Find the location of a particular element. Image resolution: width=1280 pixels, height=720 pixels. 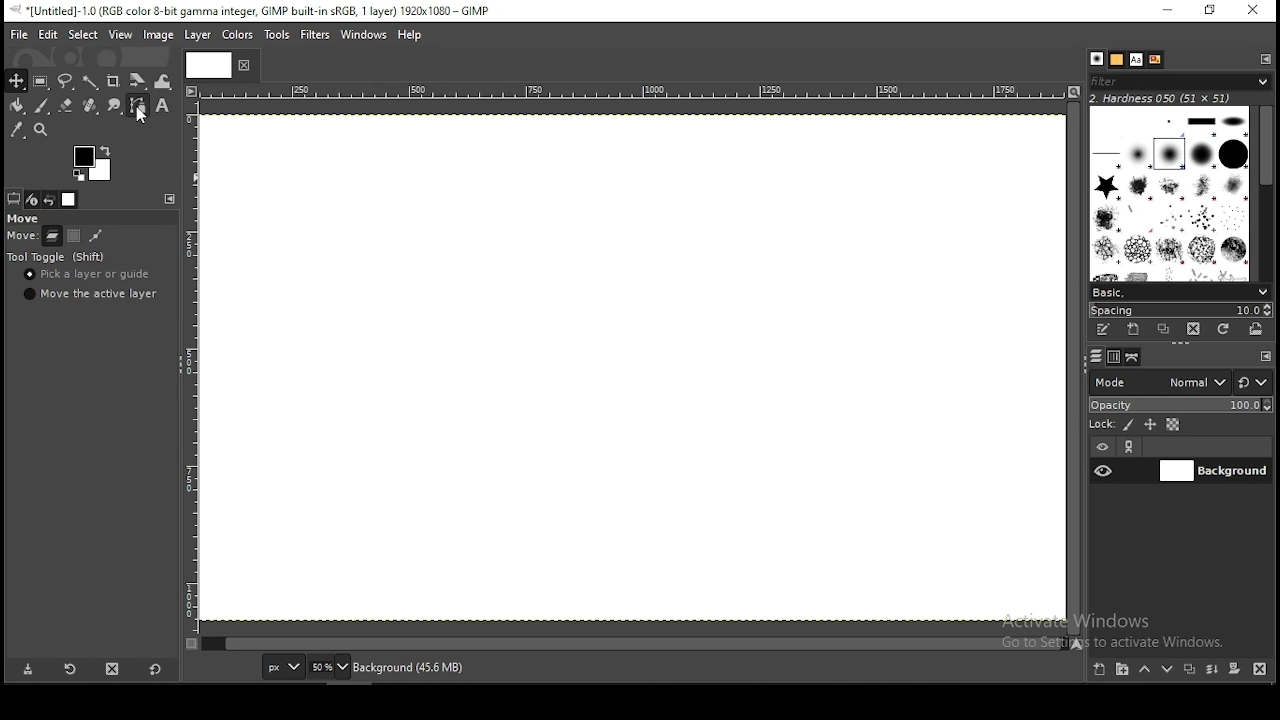

refresh brushes is located at coordinates (1223, 330).